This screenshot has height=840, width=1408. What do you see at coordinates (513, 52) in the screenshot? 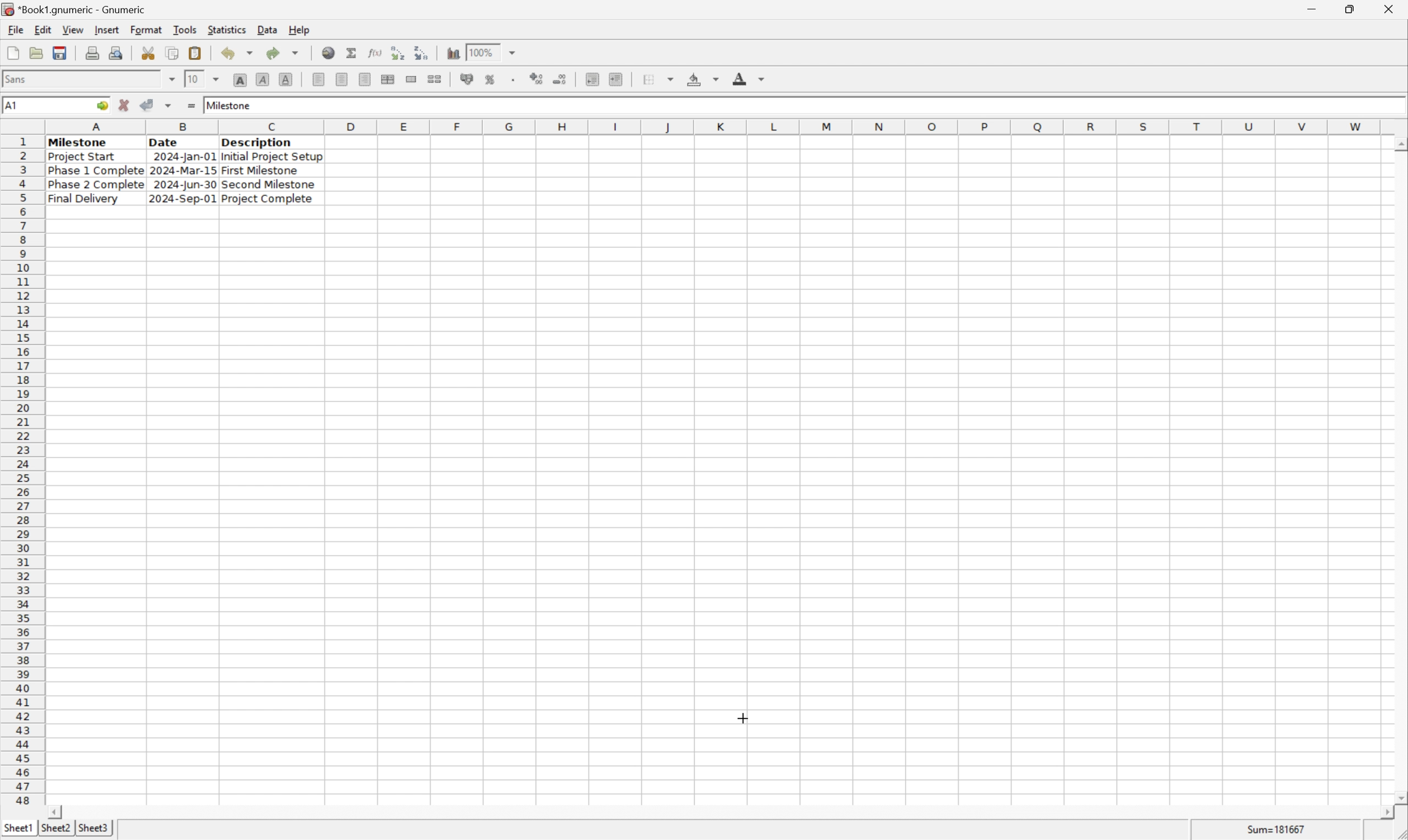
I see `drop down` at bounding box center [513, 52].